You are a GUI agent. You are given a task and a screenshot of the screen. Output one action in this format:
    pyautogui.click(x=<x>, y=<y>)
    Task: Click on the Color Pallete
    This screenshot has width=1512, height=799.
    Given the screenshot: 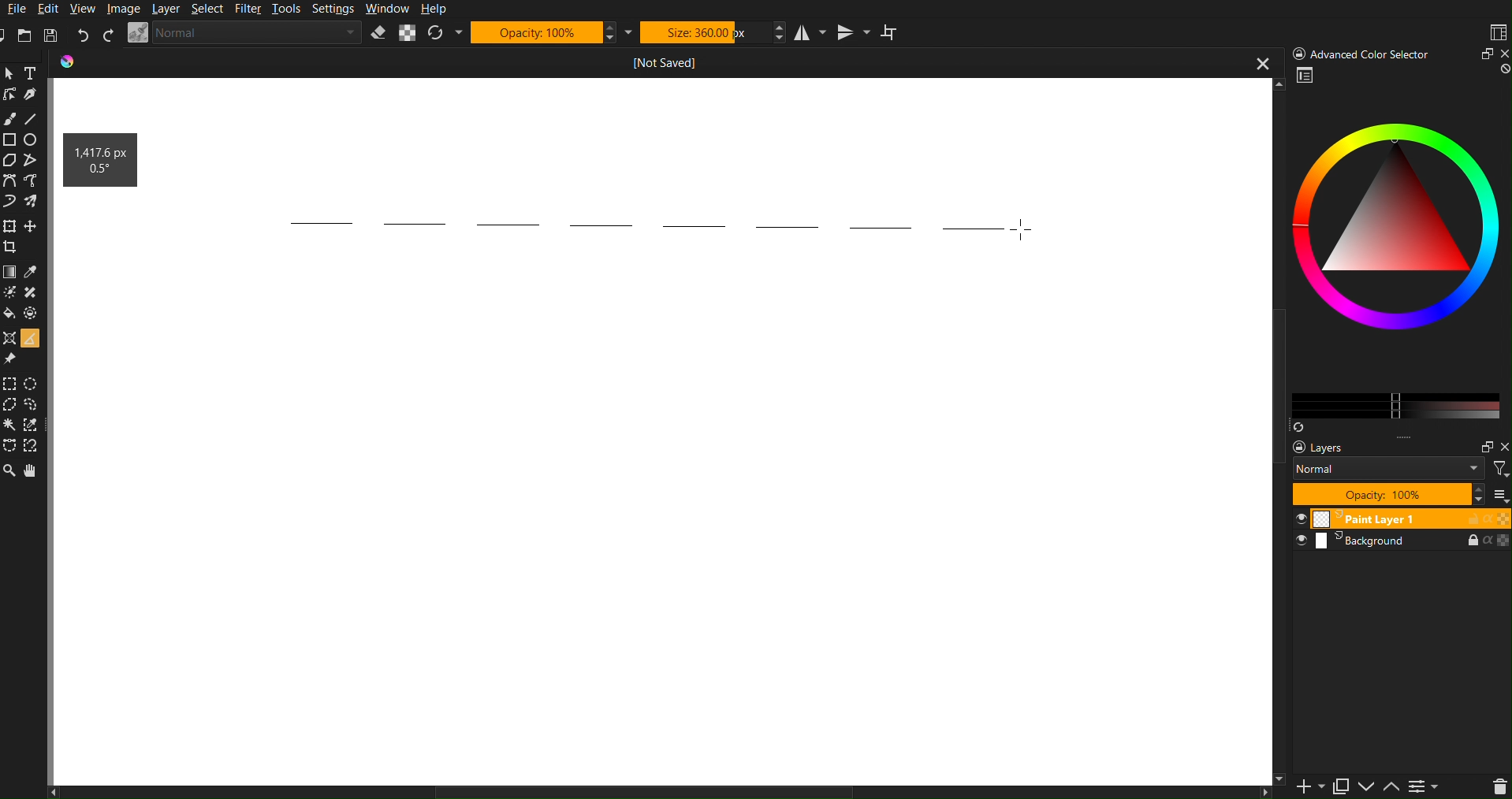 What is the action you would take?
    pyautogui.click(x=33, y=313)
    